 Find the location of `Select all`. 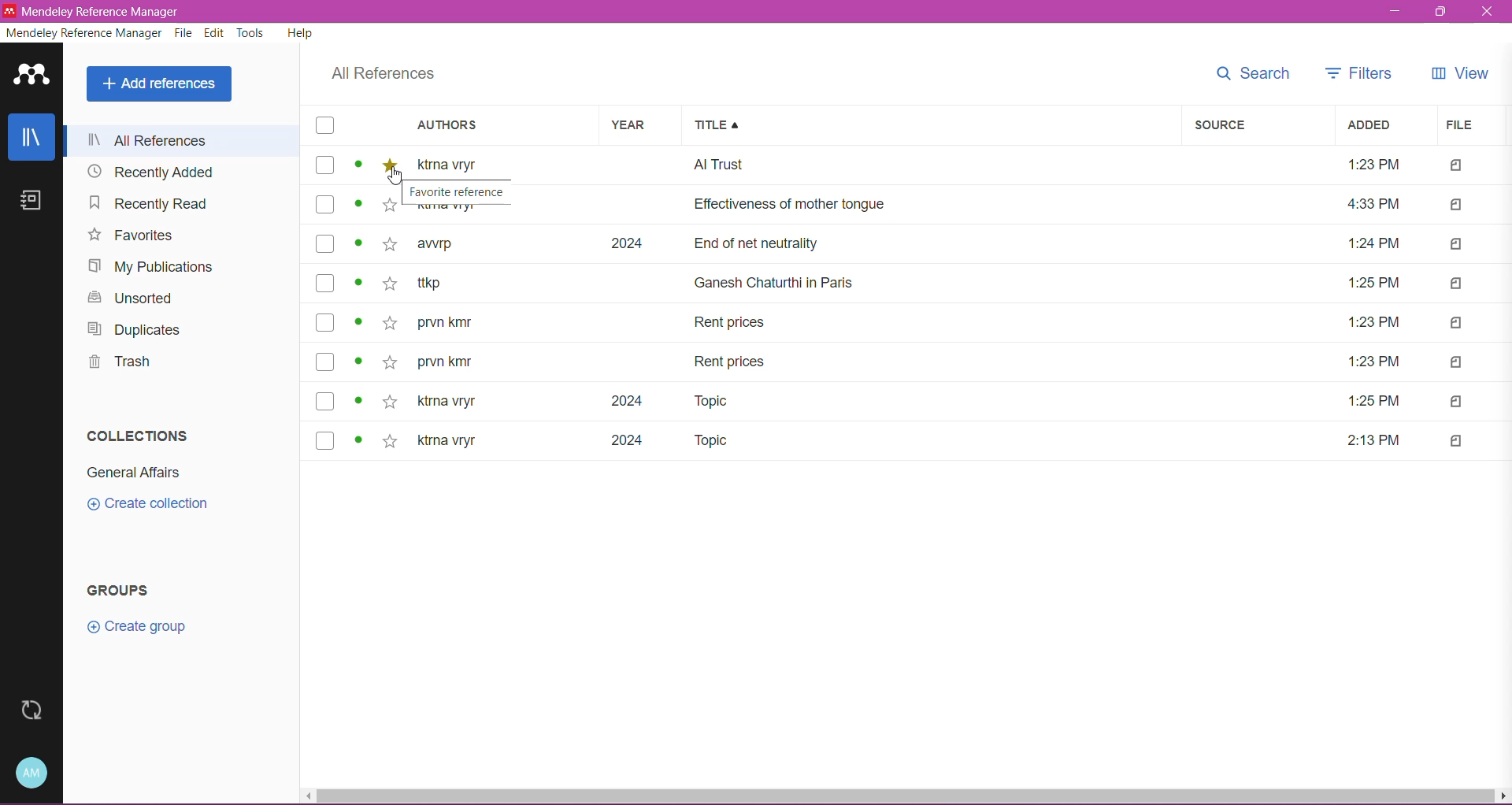

Select all is located at coordinates (325, 125).